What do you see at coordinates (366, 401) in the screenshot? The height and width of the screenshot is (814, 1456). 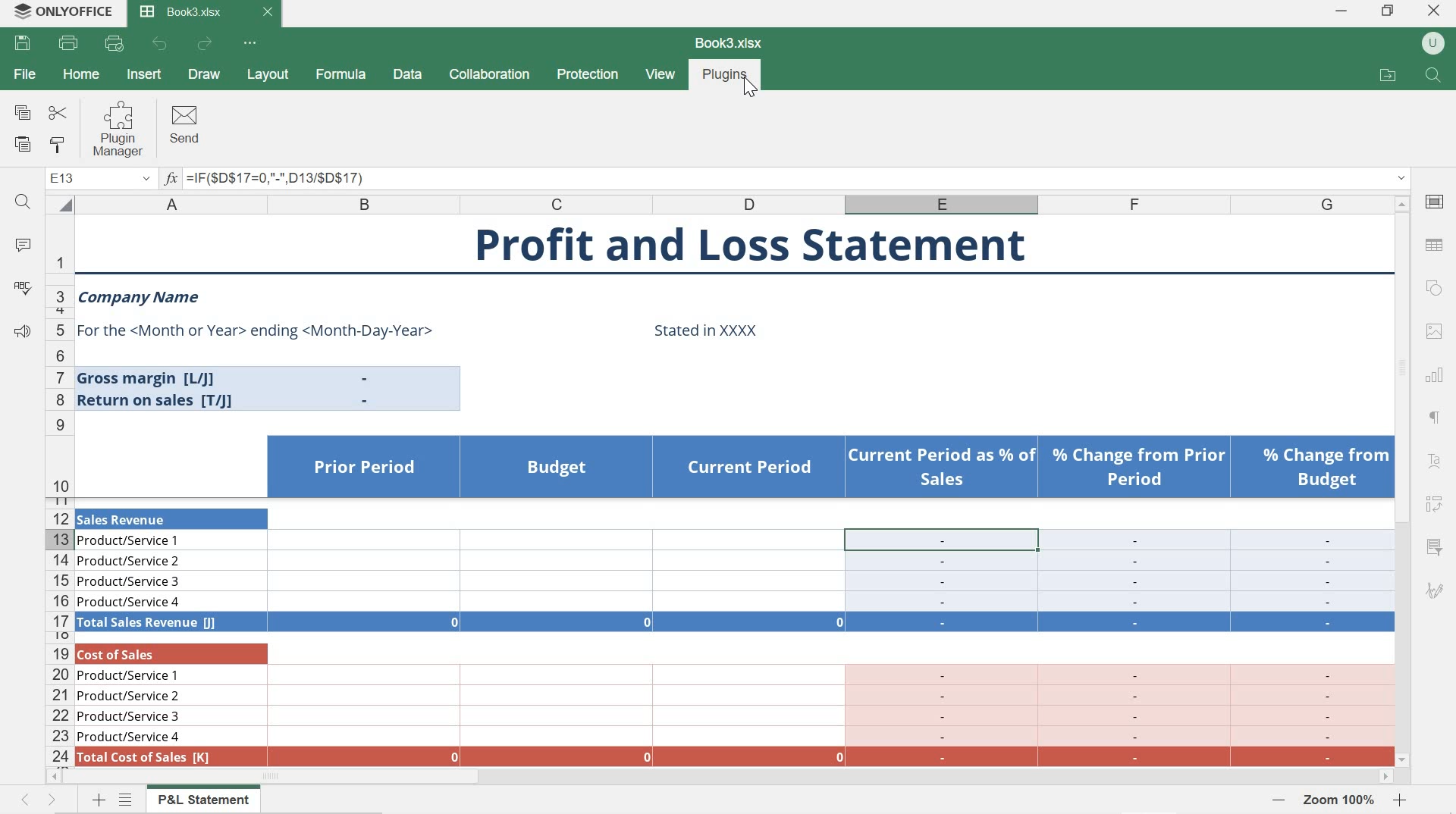 I see `.` at bounding box center [366, 401].